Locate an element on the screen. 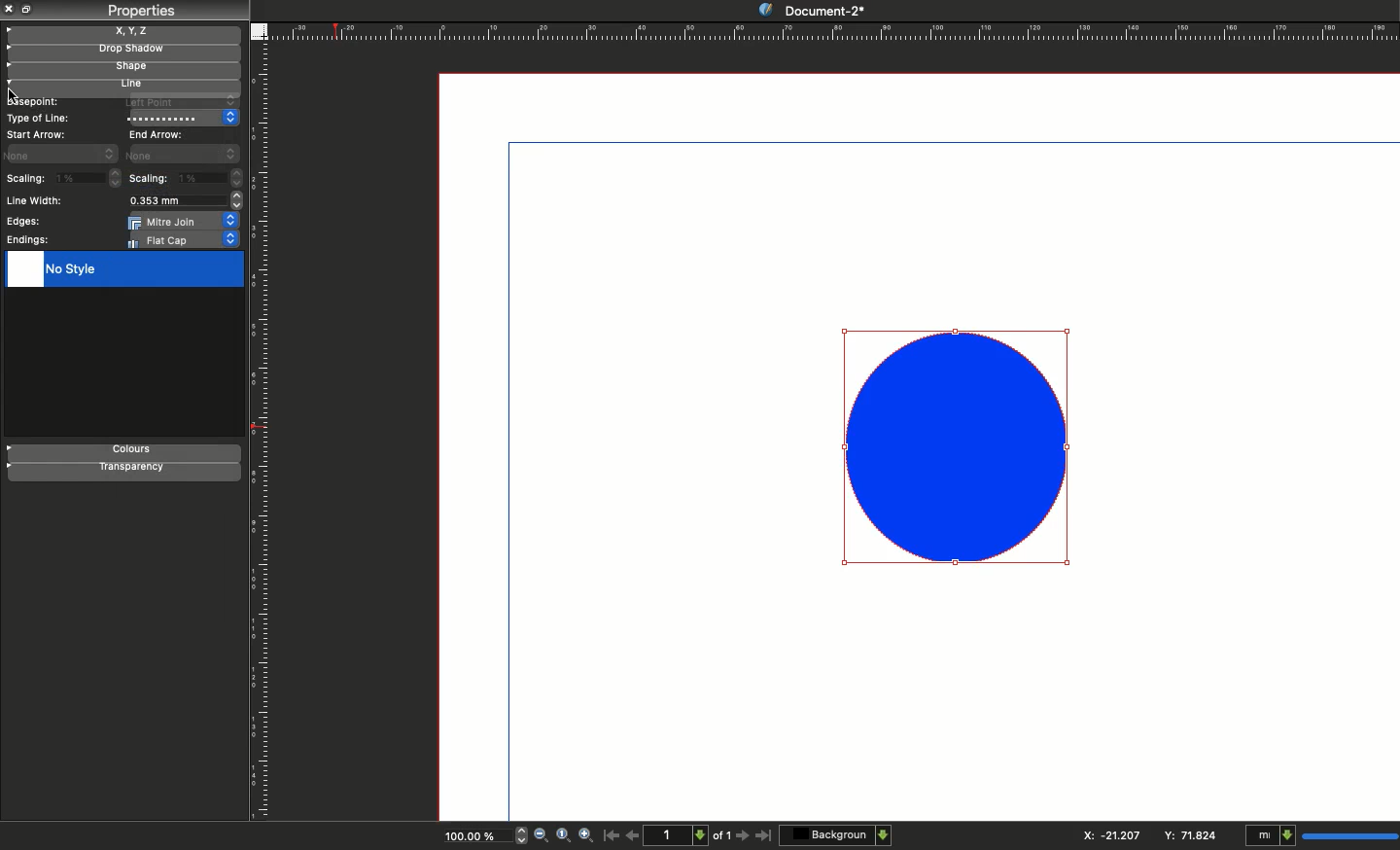 The height and width of the screenshot is (850, 1400). Line is located at coordinates (119, 86).